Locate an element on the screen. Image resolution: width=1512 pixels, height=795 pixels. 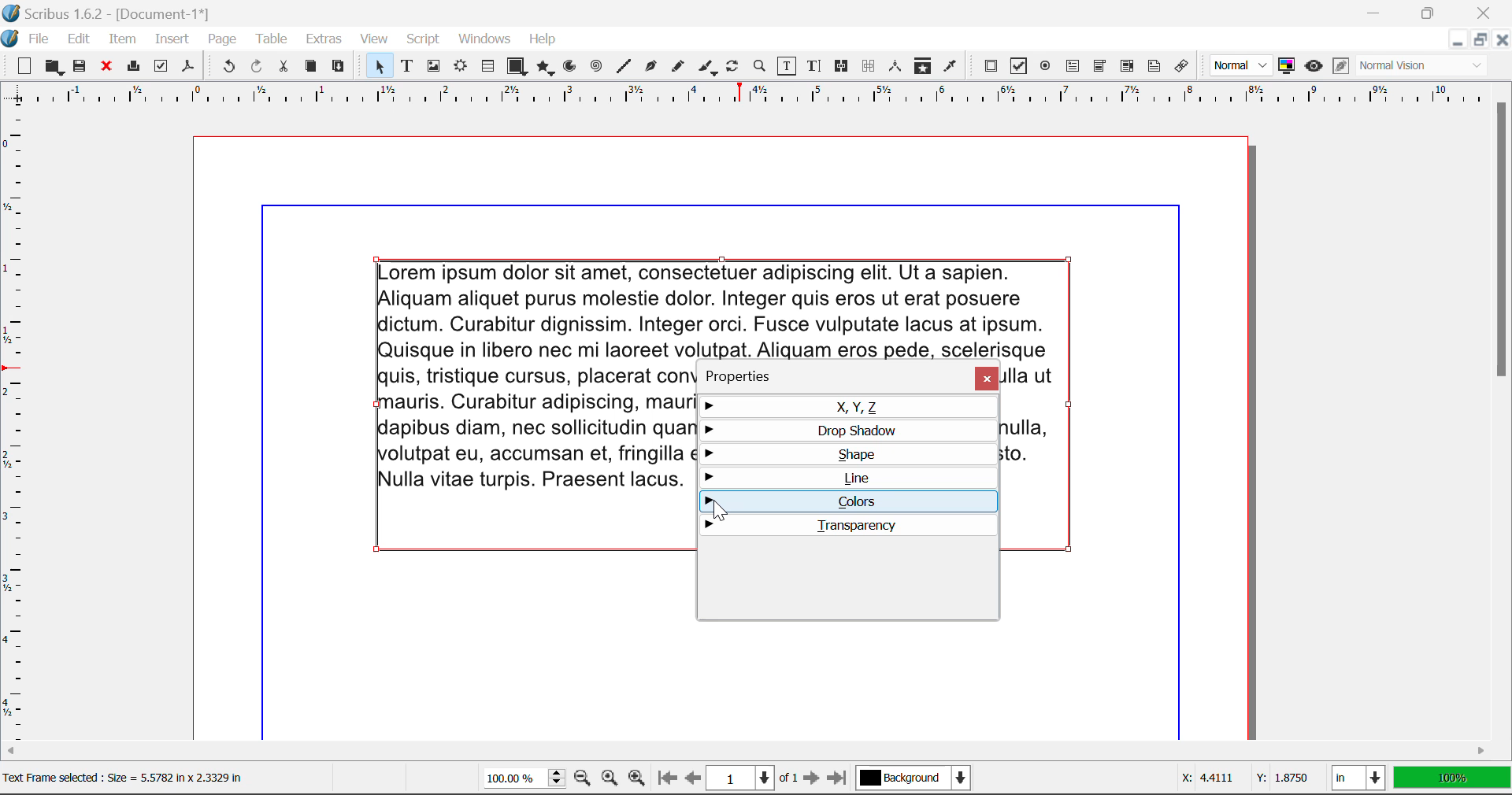
Freehand is located at coordinates (679, 70).